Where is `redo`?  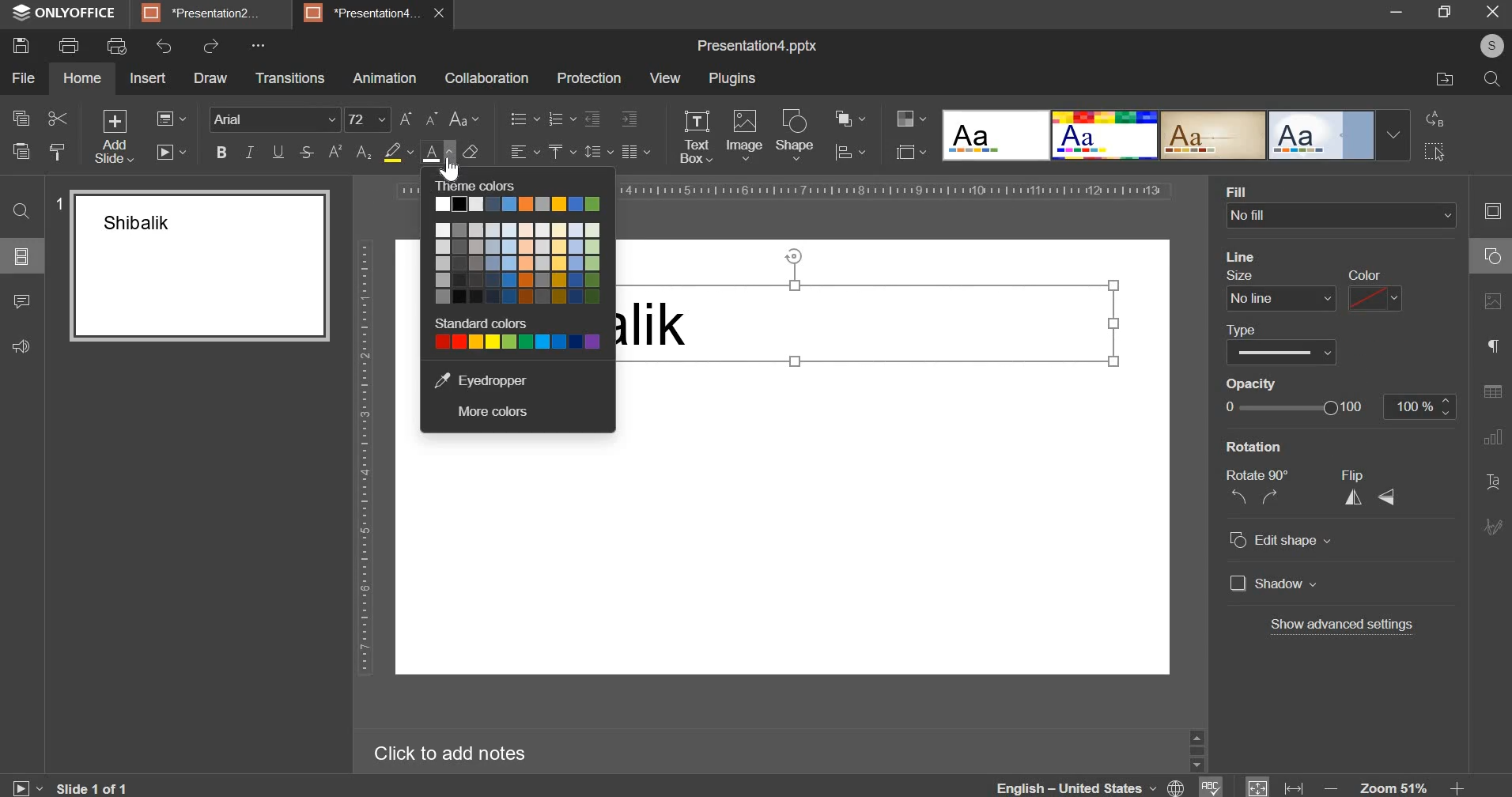
redo is located at coordinates (211, 46).